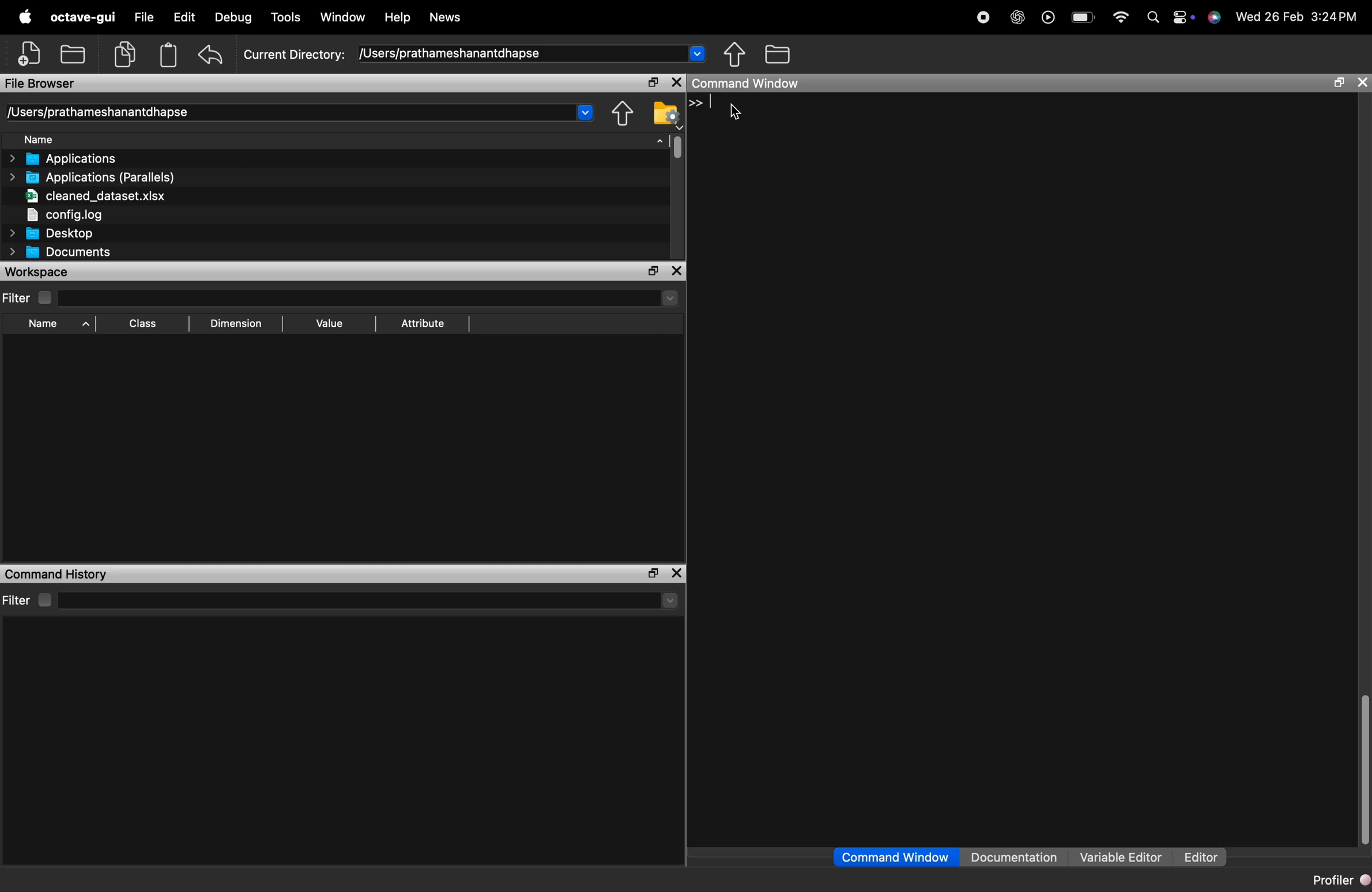 The image size is (1372, 892). Describe the element at coordinates (52, 233) in the screenshot. I see `Desktop` at that location.